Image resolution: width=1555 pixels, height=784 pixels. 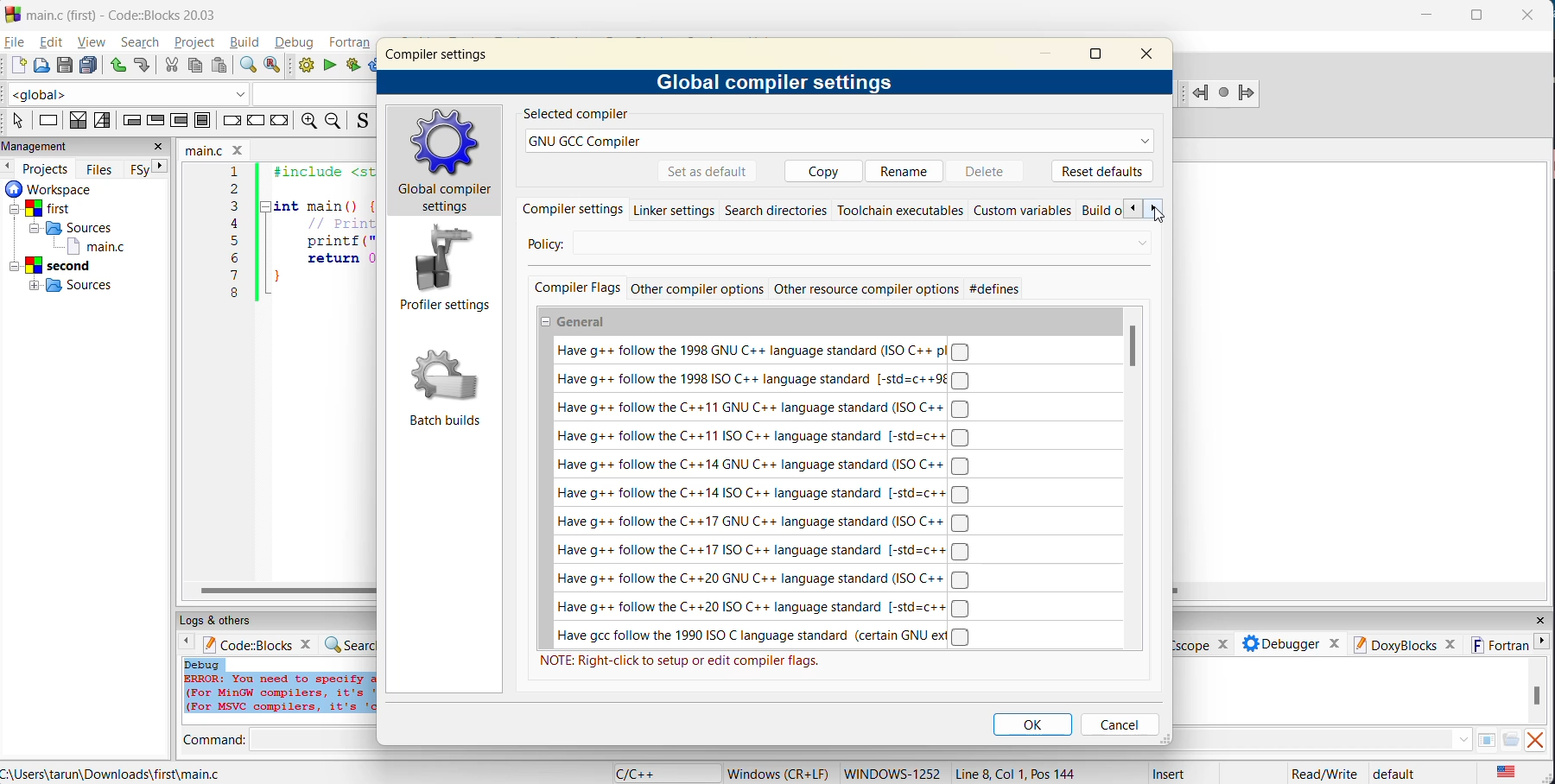 What do you see at coordinates (1509, 774) in the screenshot?
I see `text language` at bounding box center [1509, 774].